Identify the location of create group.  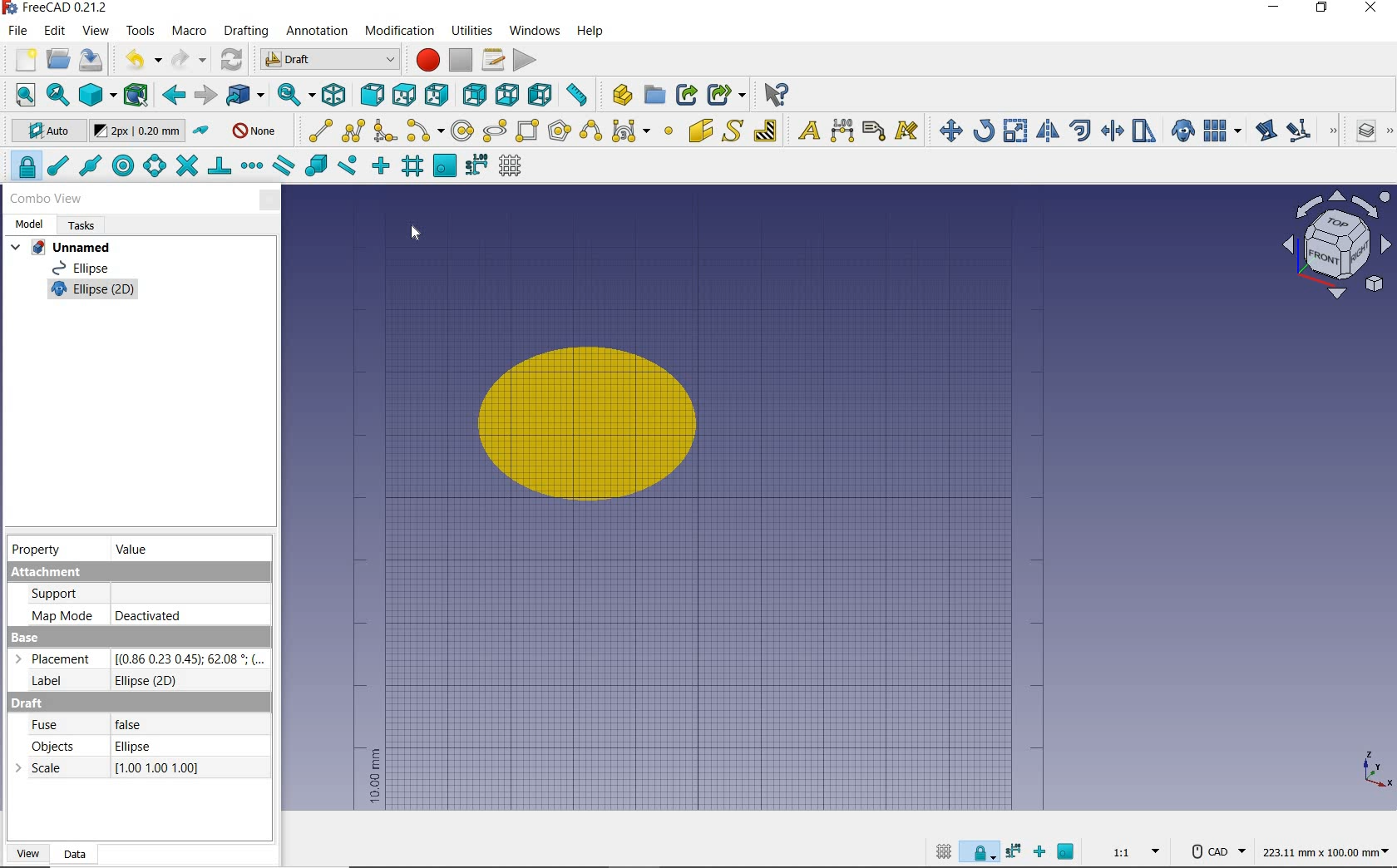
(655, 96).